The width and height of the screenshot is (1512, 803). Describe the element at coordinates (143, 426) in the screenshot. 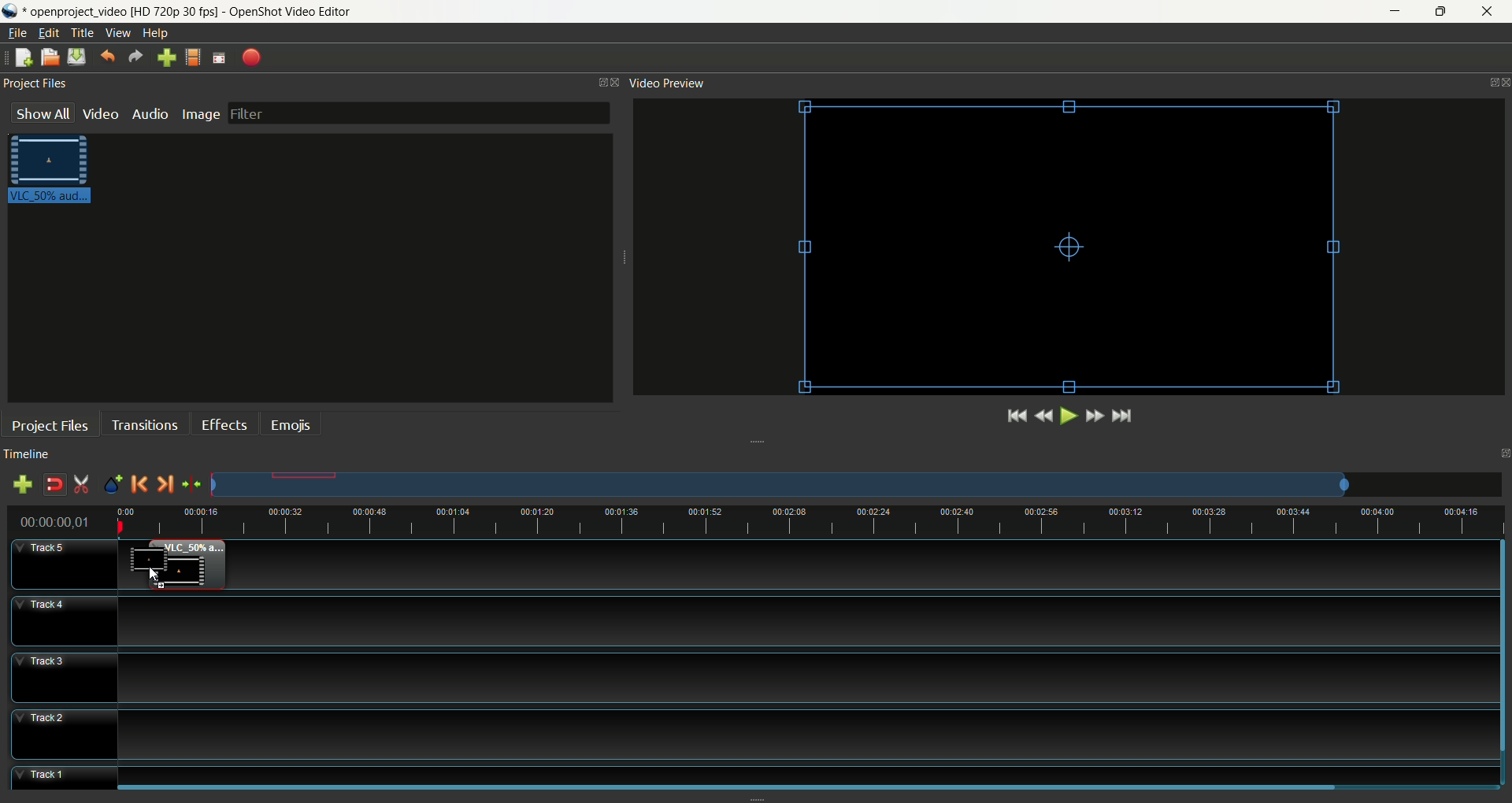

I see `transitions` at that location.